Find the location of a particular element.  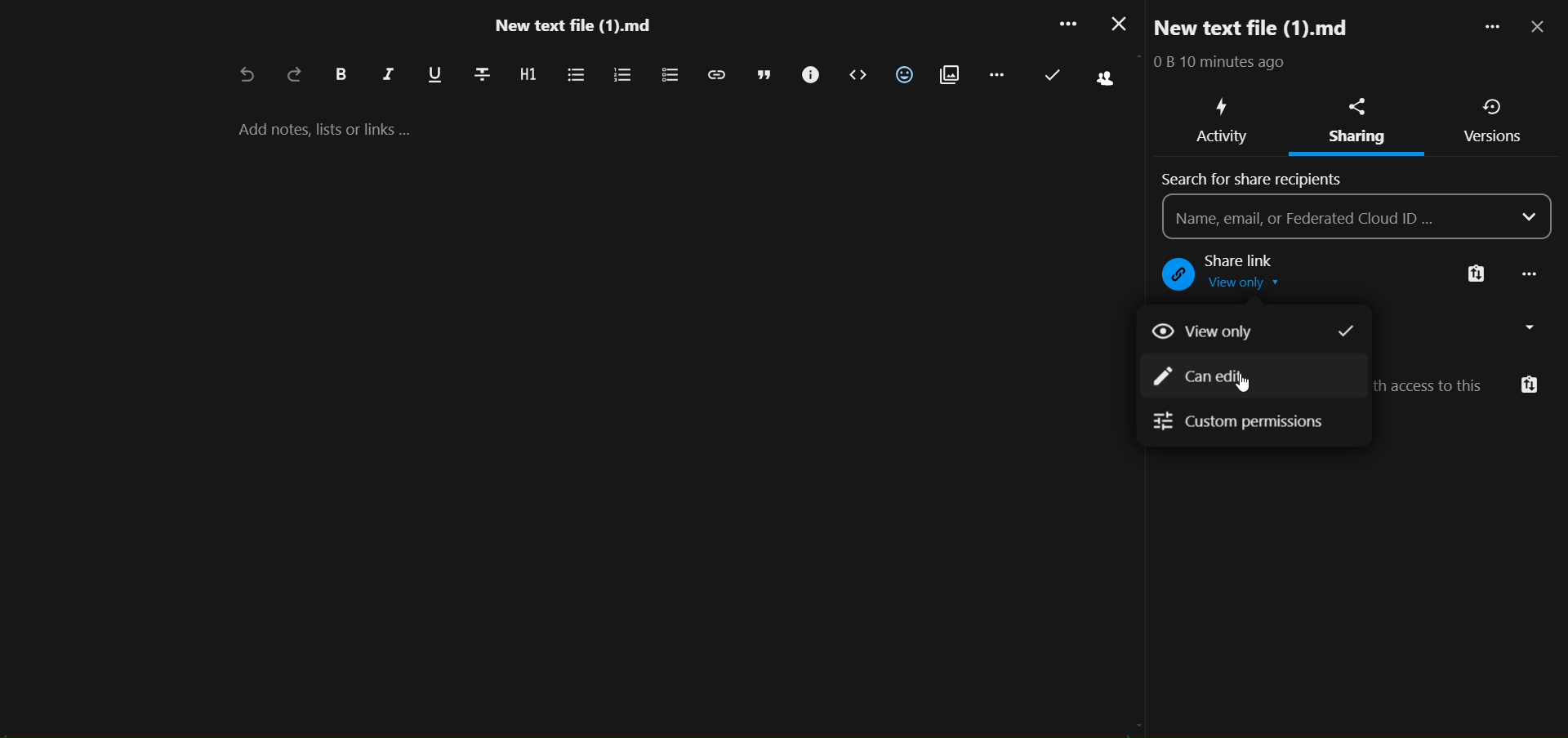

redo is located at coordinates (295, 76).